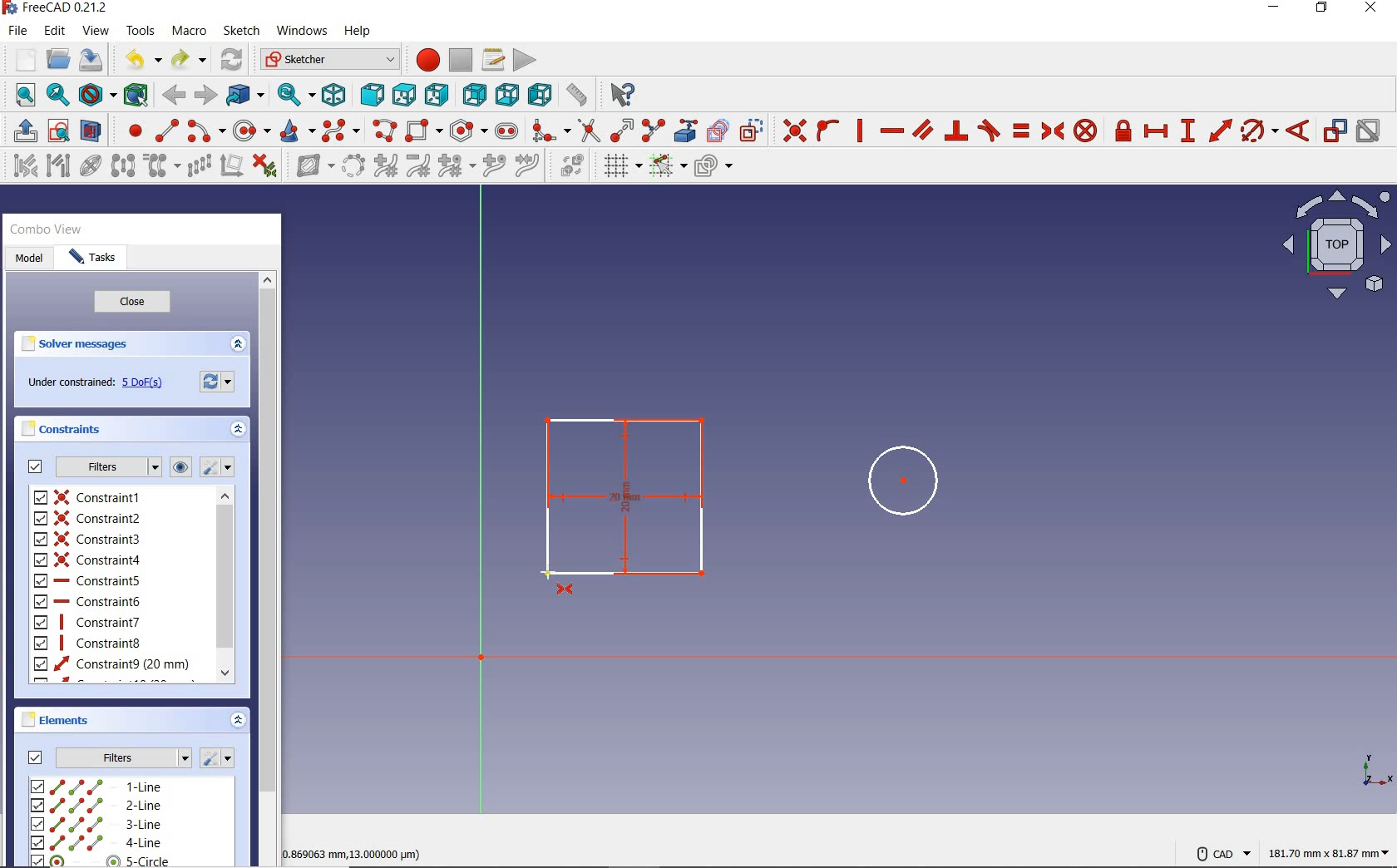  I want to click on remove axes alignment, so click(232, 165).